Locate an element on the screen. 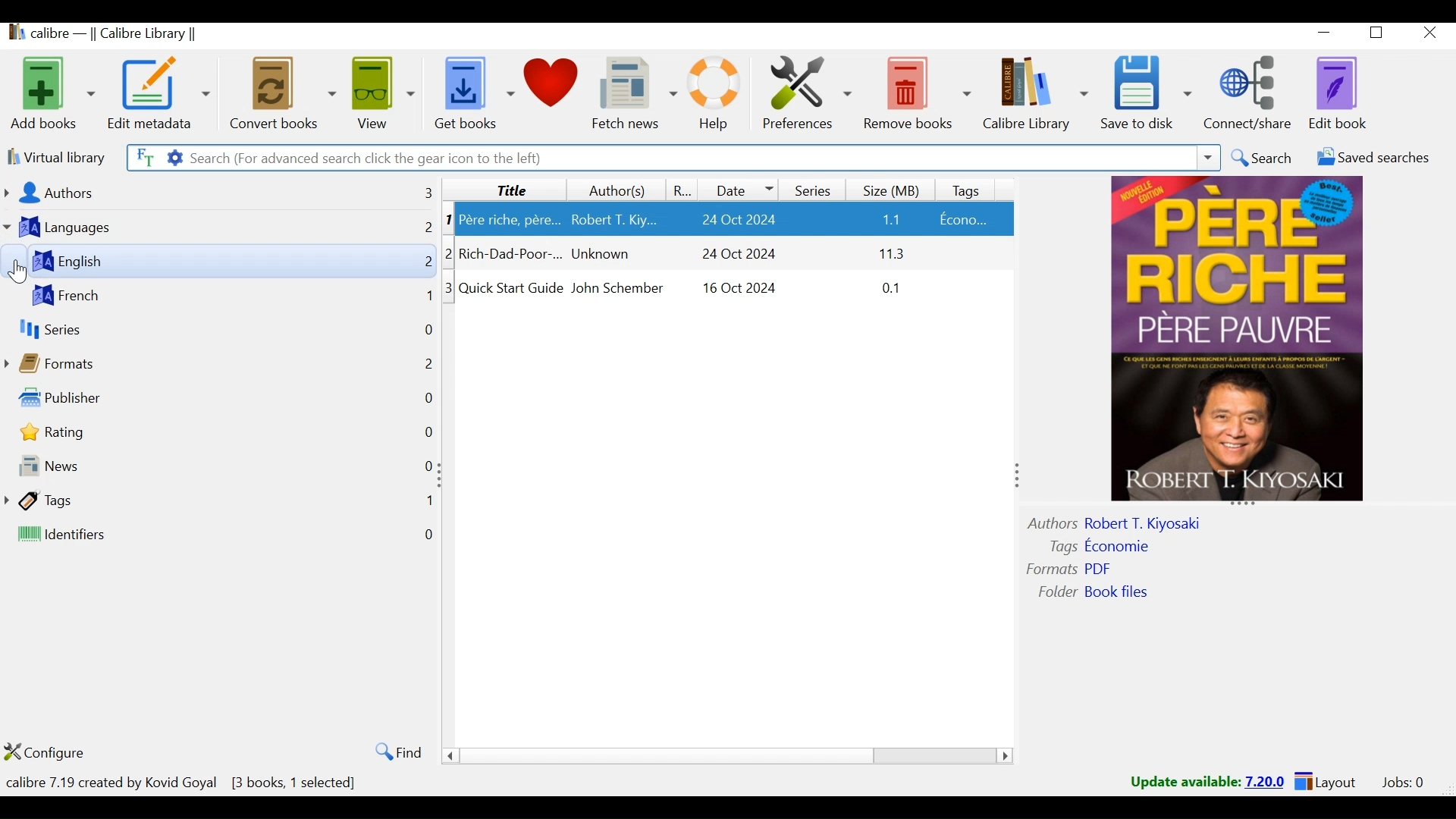  Identifiers is located at coordinates (135, 536).